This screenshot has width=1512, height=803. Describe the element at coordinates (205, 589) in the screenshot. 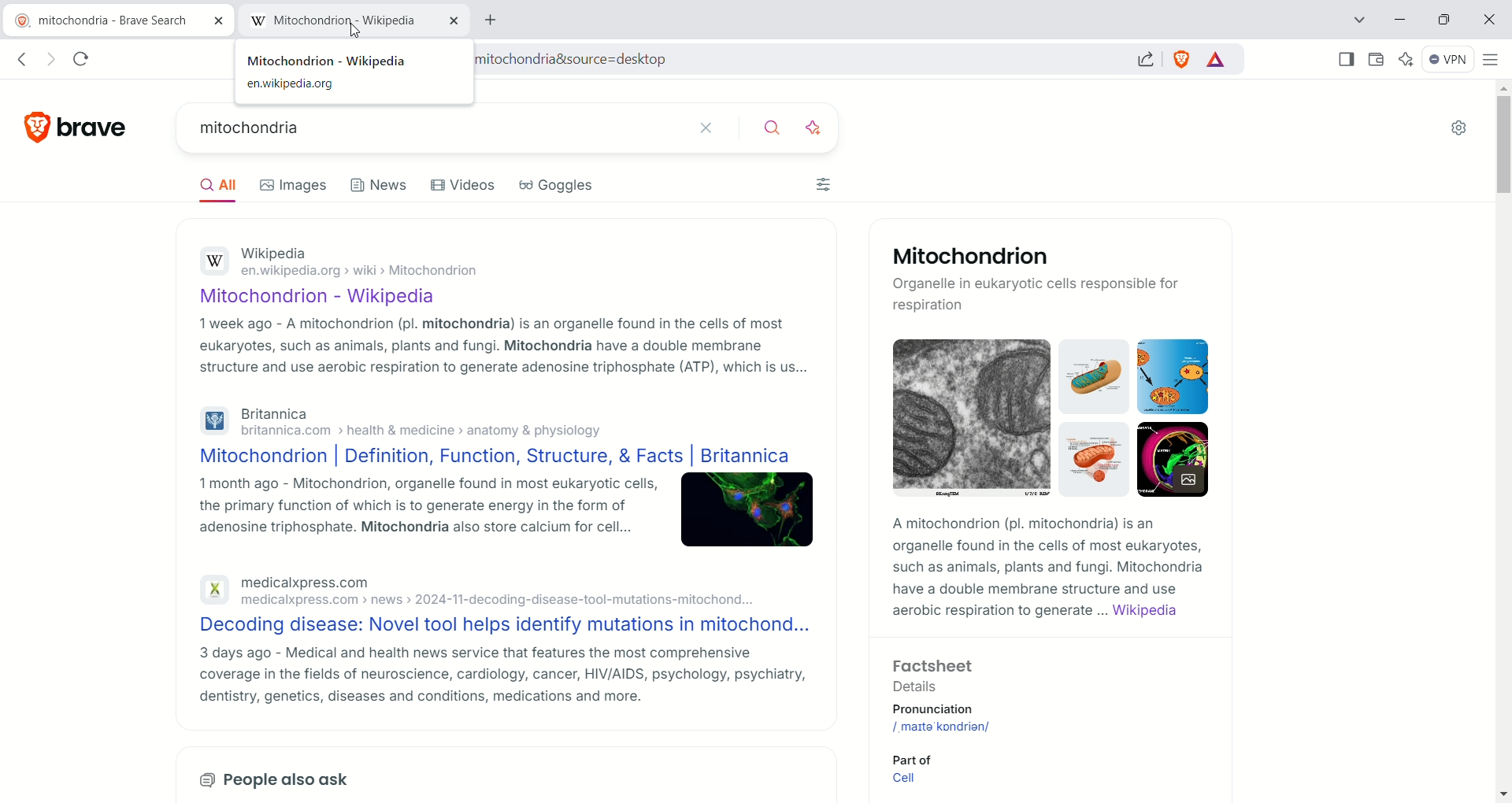

I see `medicalxpress logo` at that location.